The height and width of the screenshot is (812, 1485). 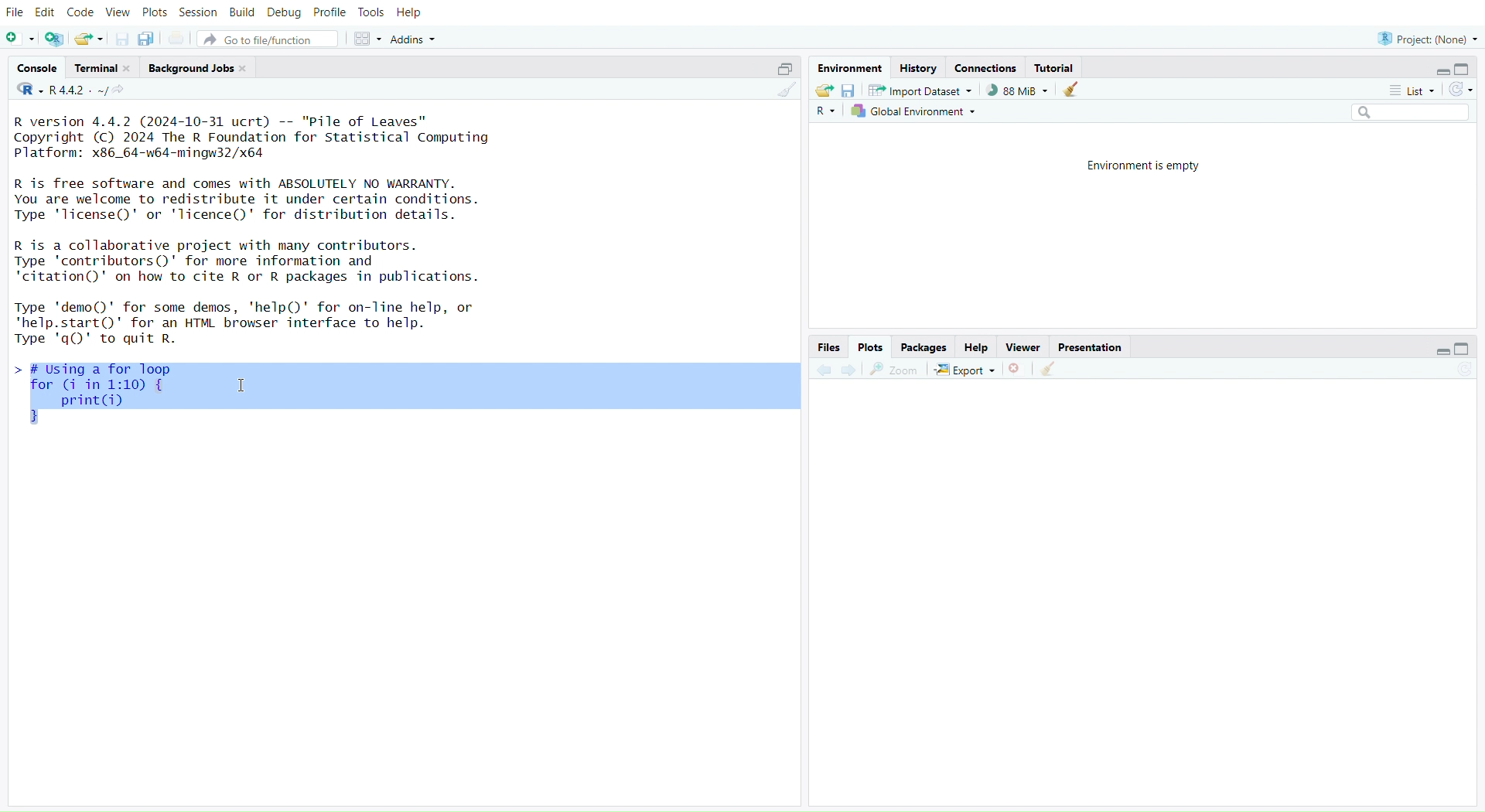 What do you see at coordinates (17, 12) in the screenshot?
I see `file` at bounding box center [17, 12].